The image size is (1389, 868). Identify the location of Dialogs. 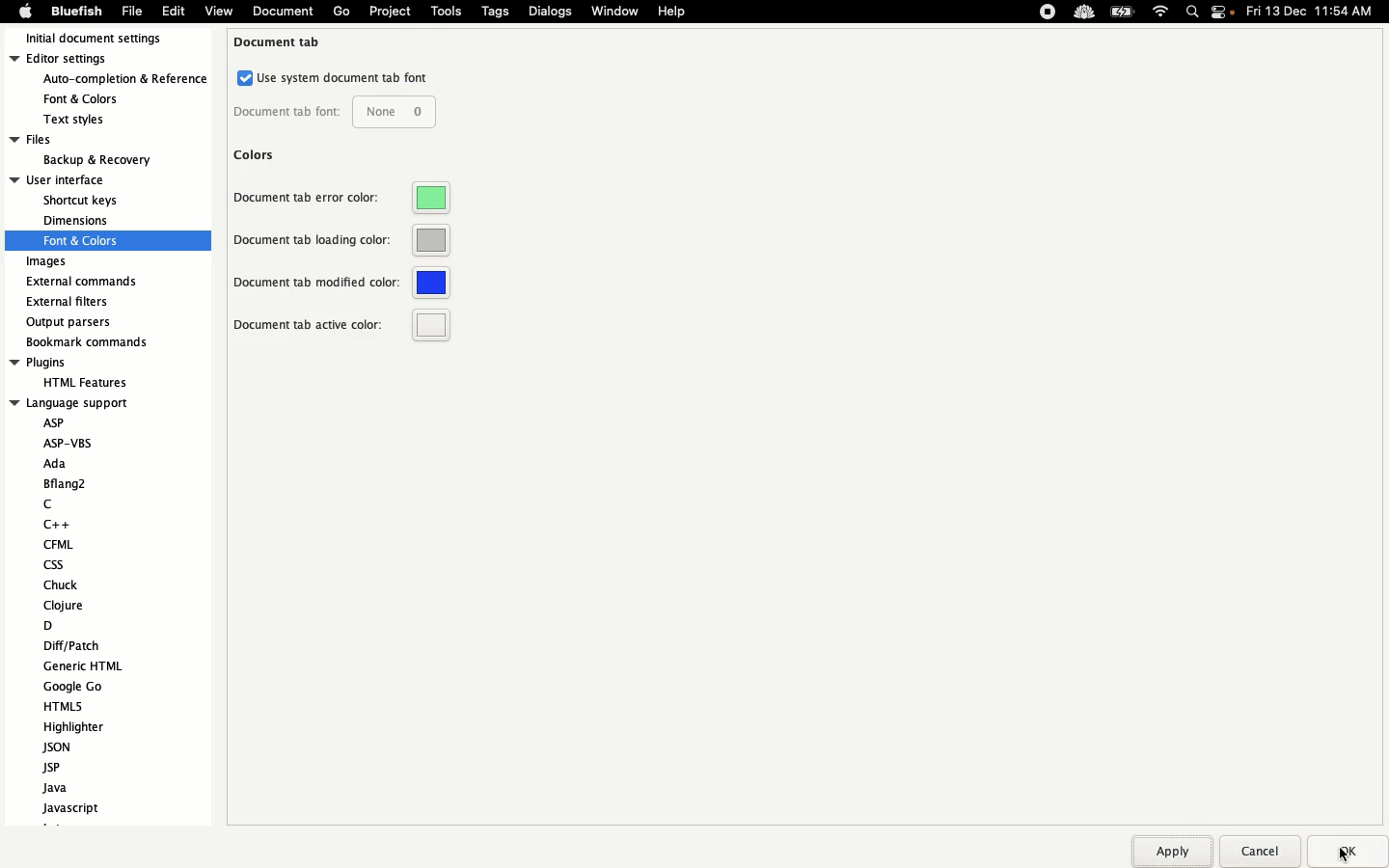
(550, 11).